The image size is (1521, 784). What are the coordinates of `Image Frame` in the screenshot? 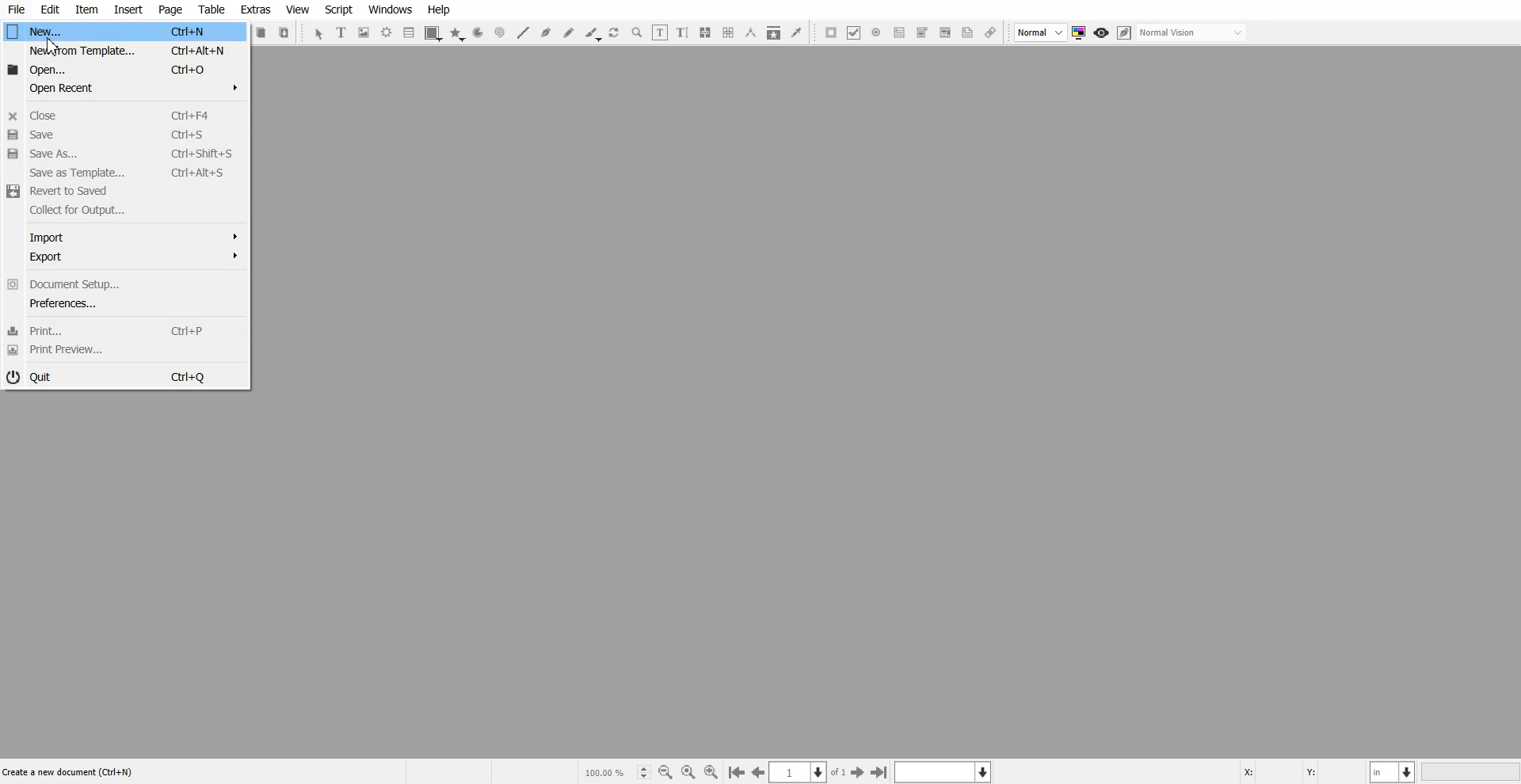 It's located at (364, 32).